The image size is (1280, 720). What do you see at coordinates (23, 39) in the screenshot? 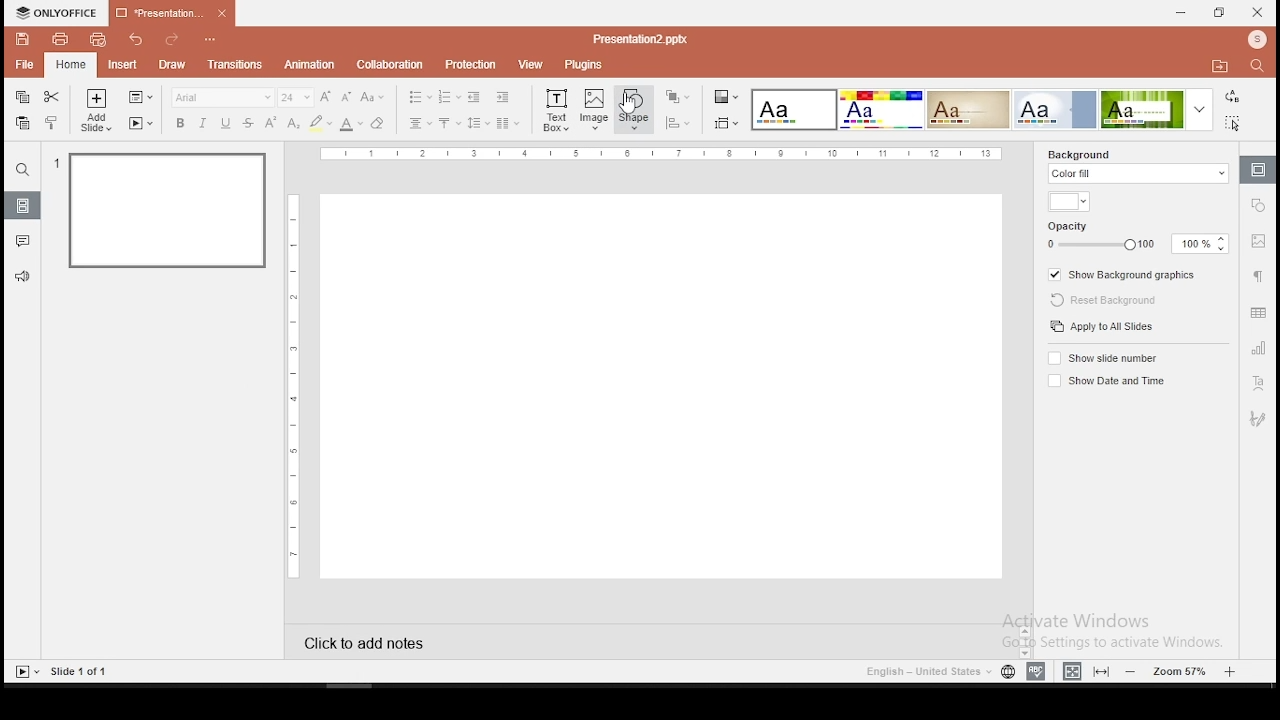
I see `save` at bounding box center [23, 39].